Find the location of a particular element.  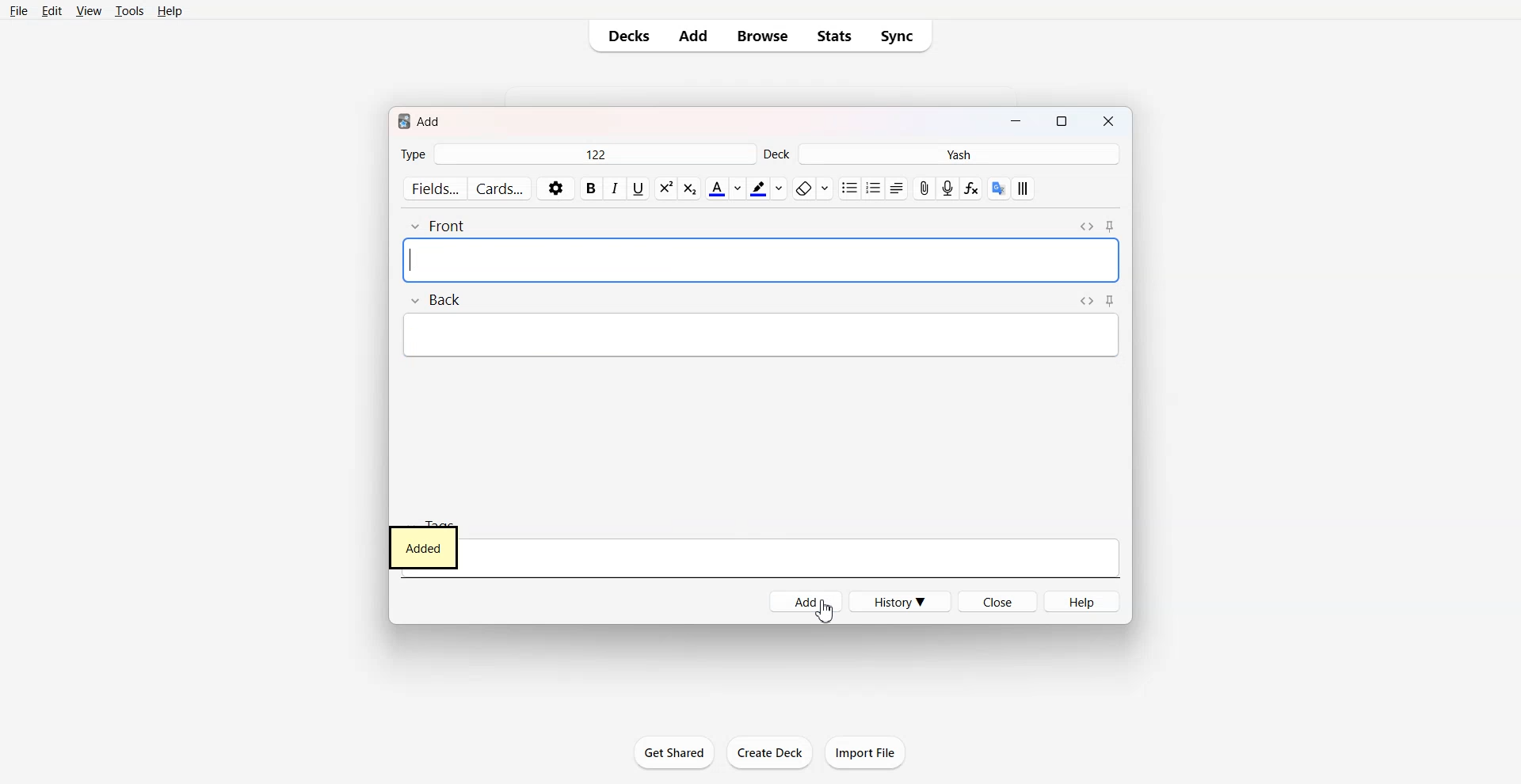

Fields is located at coordinates (434, 188).